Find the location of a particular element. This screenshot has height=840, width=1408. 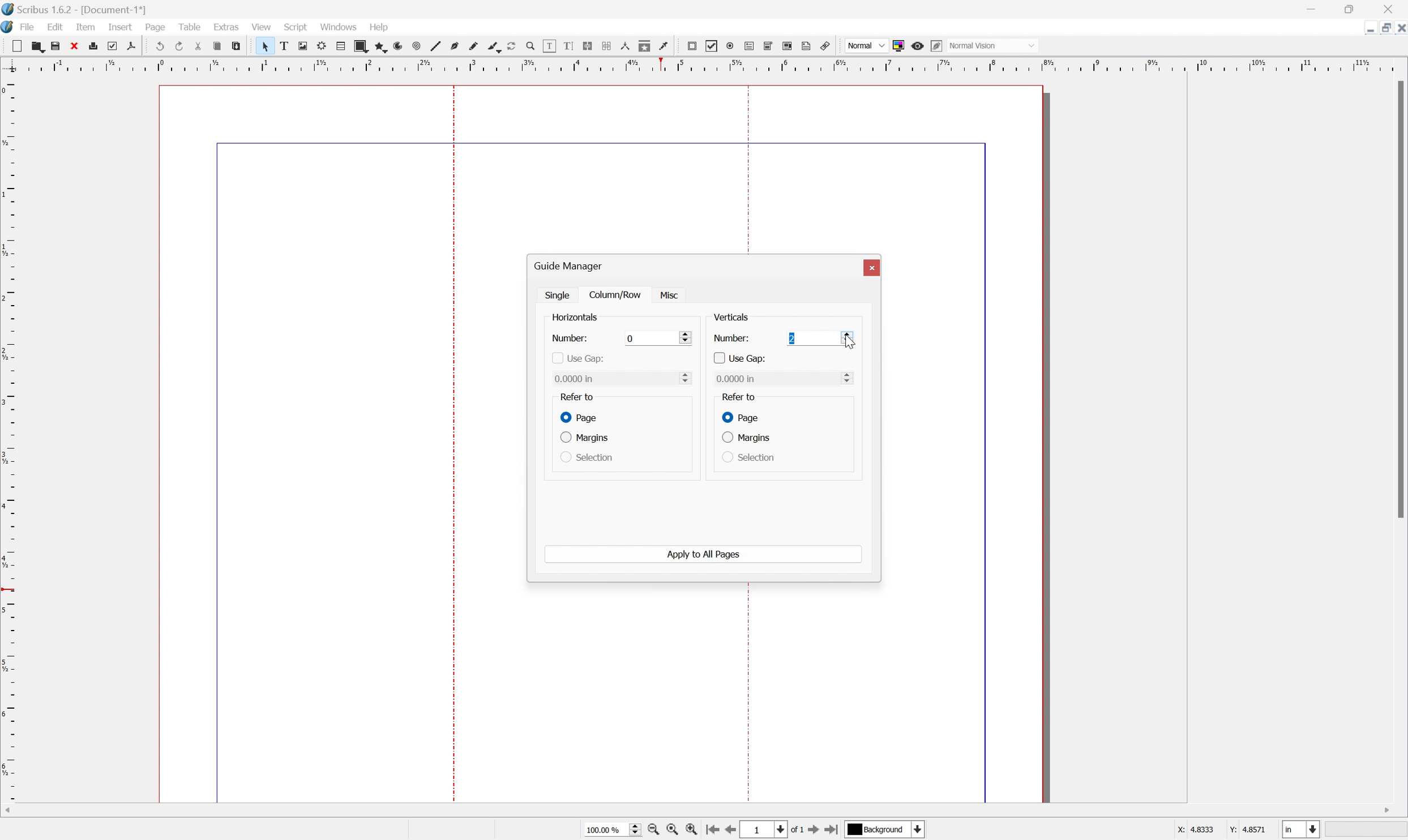

page is located at coordinates (743, 417).